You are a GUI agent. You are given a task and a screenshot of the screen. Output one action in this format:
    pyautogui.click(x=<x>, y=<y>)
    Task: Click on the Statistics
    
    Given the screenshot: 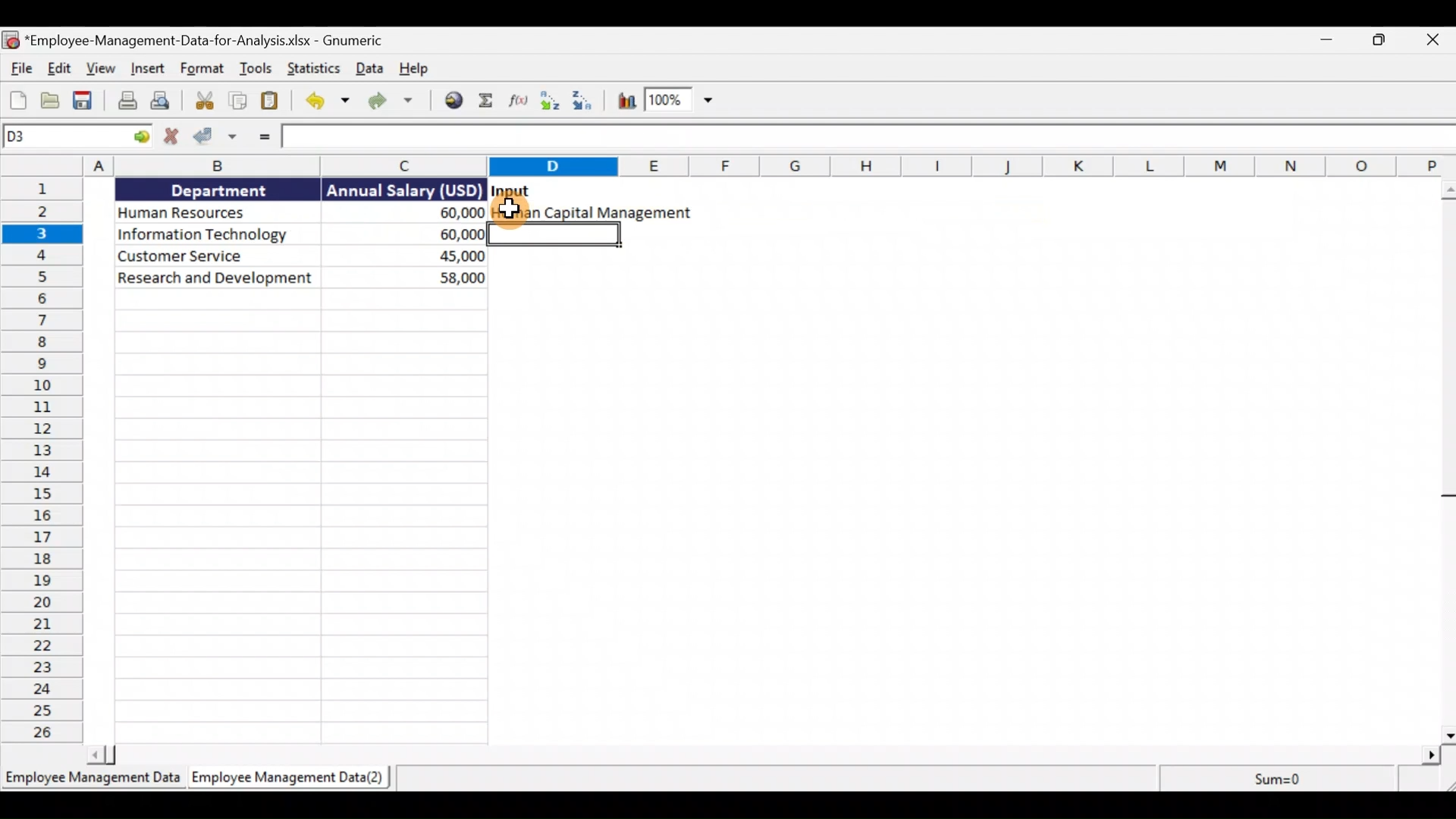 What is the action you would take?
    pyautogui.click(x=315, y=70)
    